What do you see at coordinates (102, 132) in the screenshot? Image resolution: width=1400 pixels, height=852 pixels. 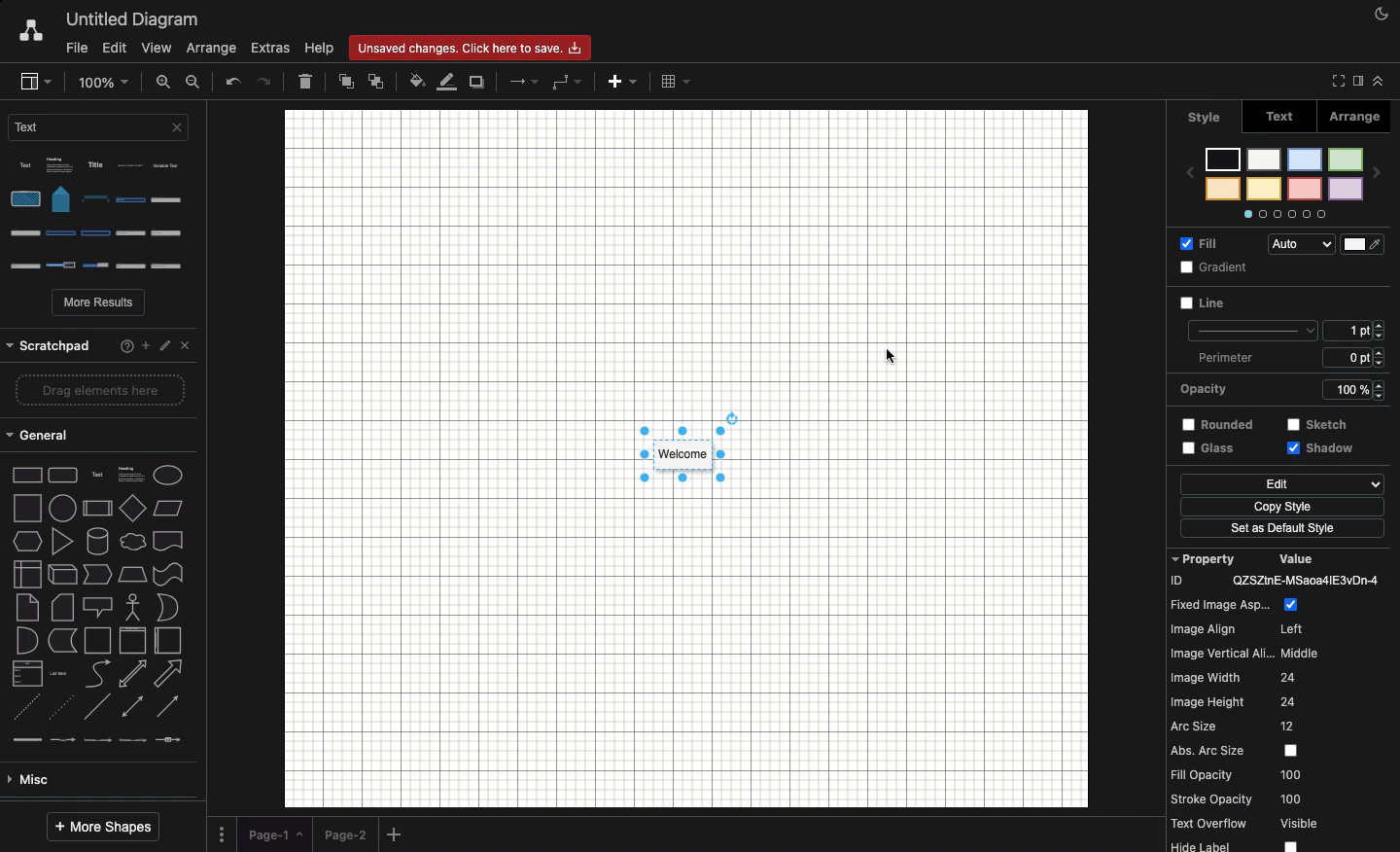 I see `Text` at bounding box center [102, 132].